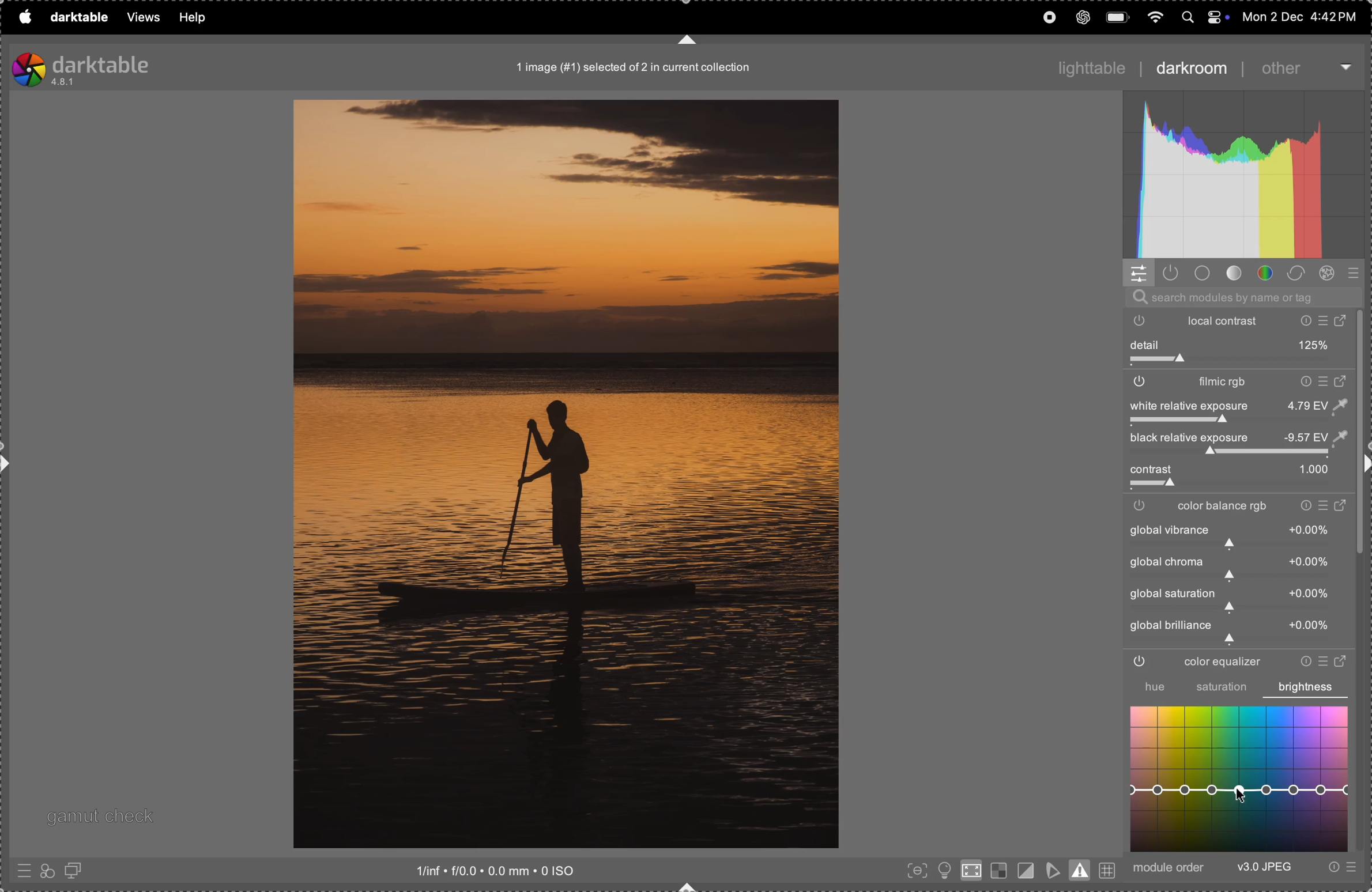  Describe the element at coordinates (1238, 486) in the screenshot. I see `toggle bar` at that location.